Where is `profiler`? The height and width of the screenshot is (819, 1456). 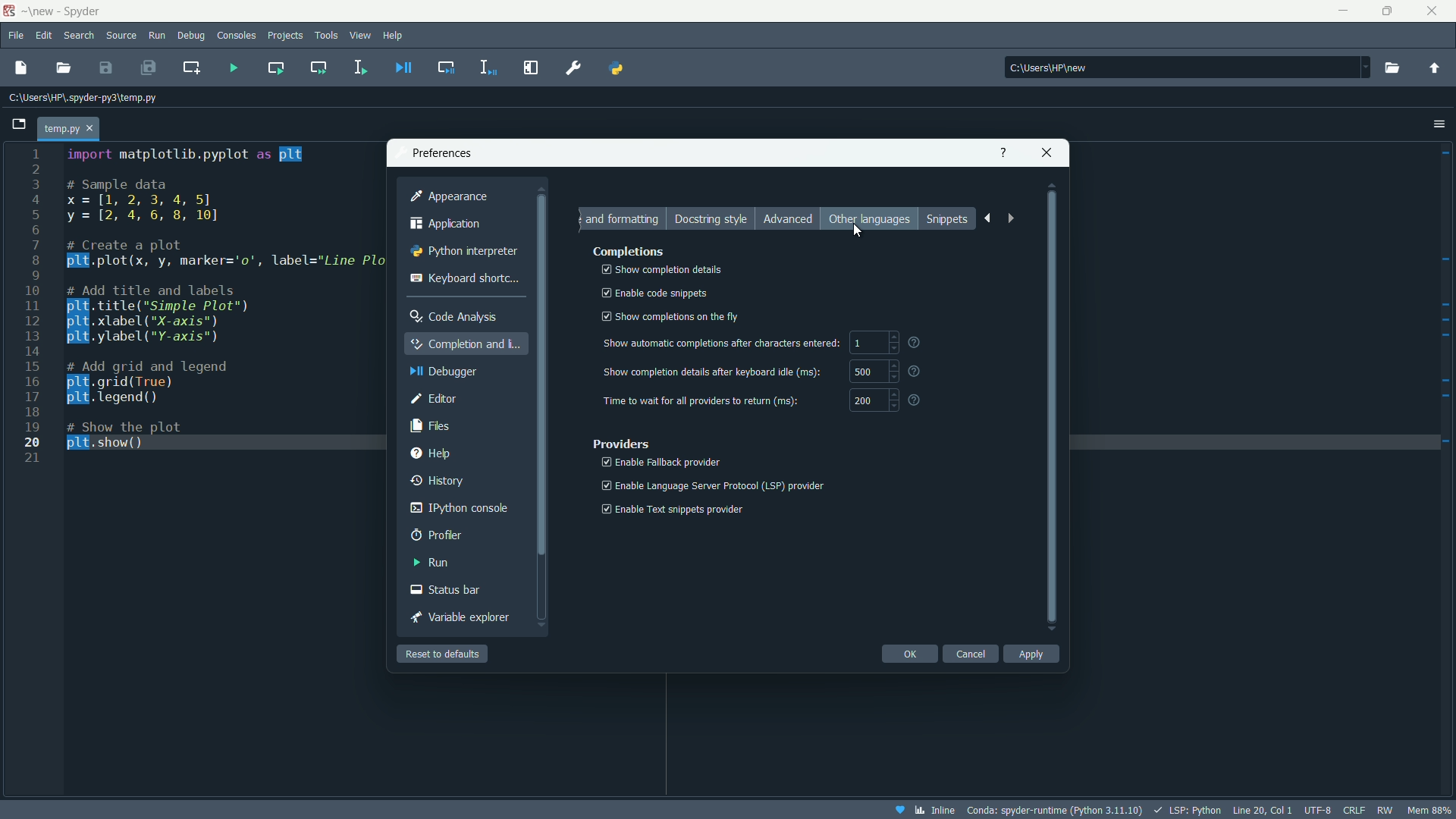 profiler is located at coordinates (436, 535).